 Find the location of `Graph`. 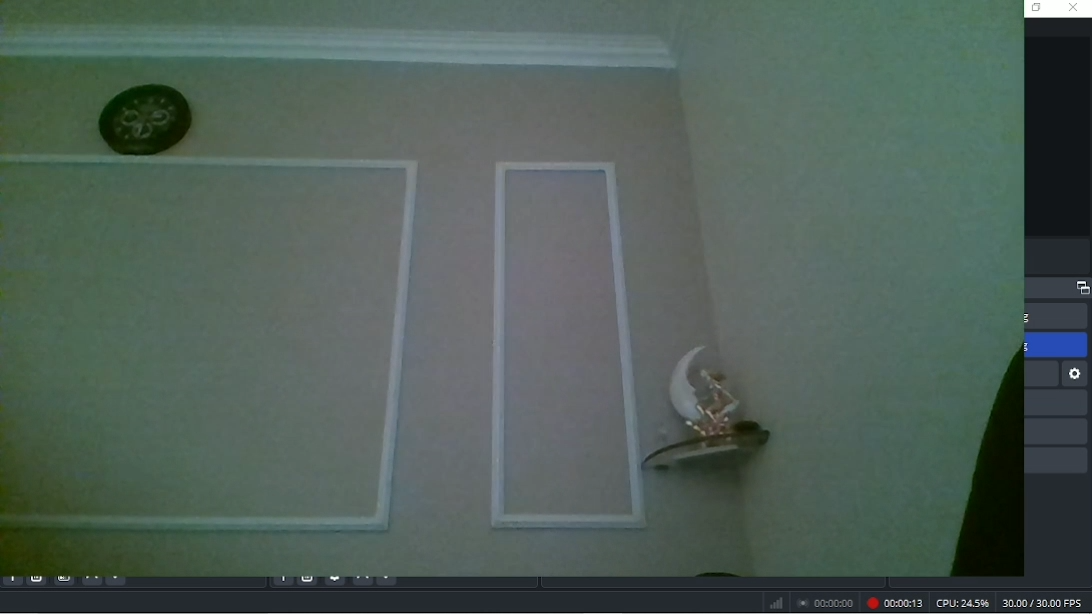

Graph is located at coordinates (776, 602).